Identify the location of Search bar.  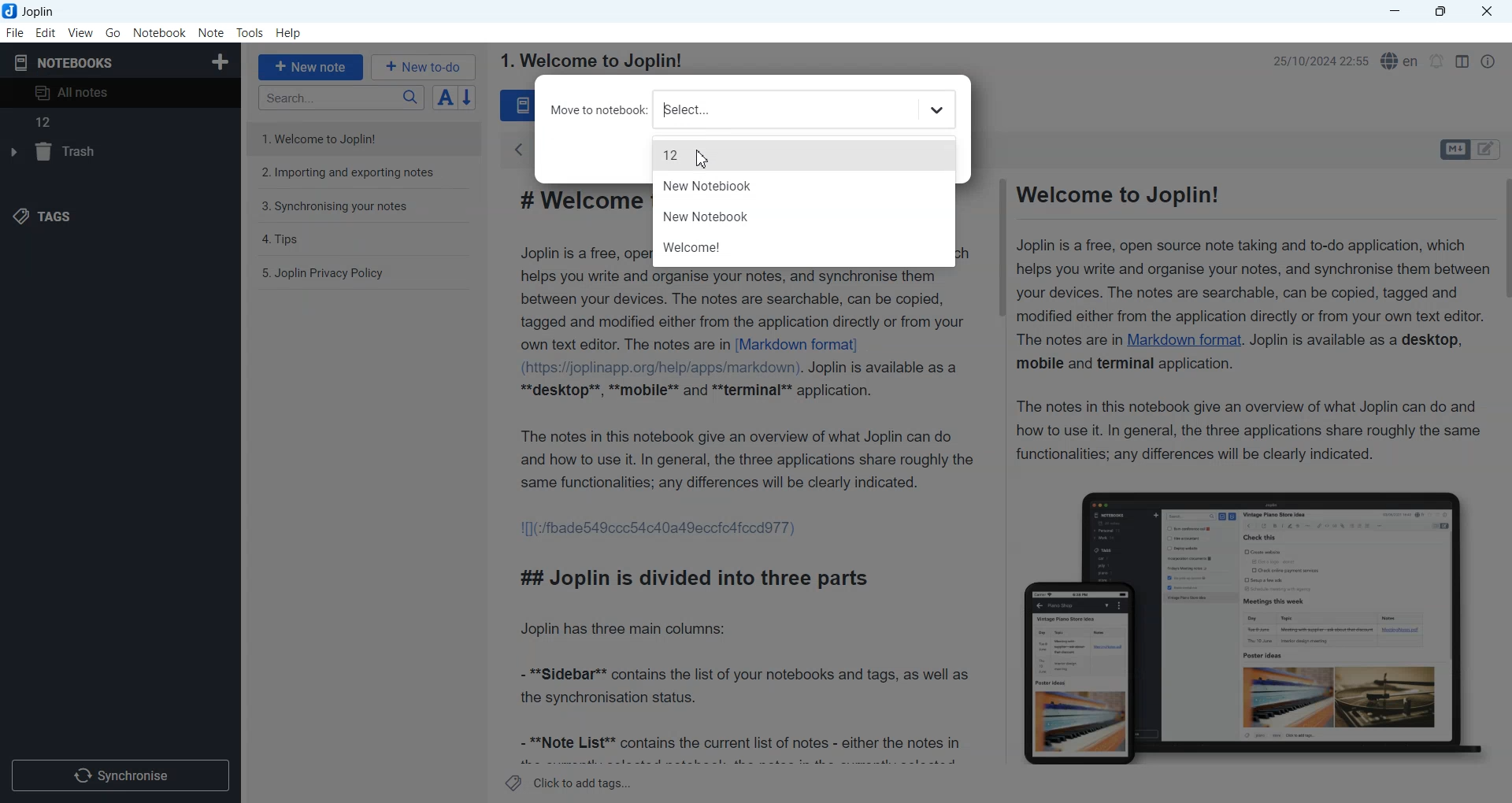
(341, 98).